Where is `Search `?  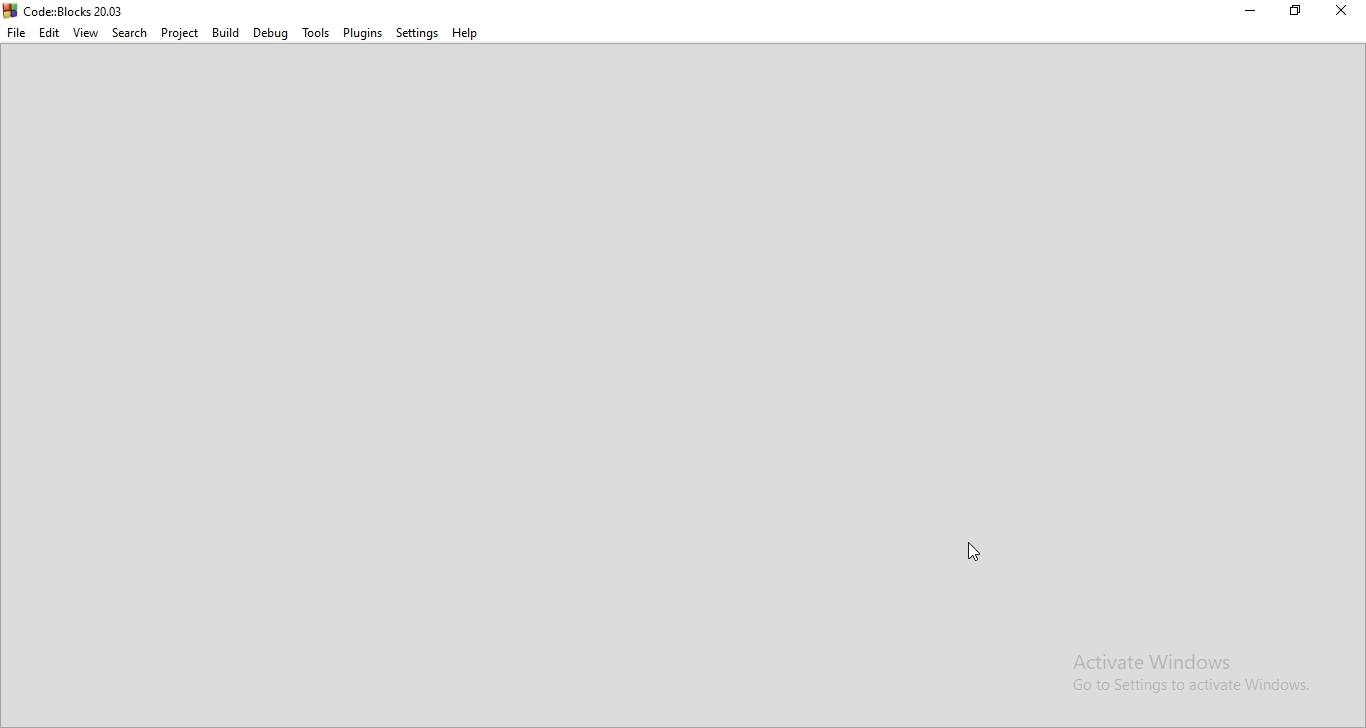
Search  is located at coordinates (129, 32).